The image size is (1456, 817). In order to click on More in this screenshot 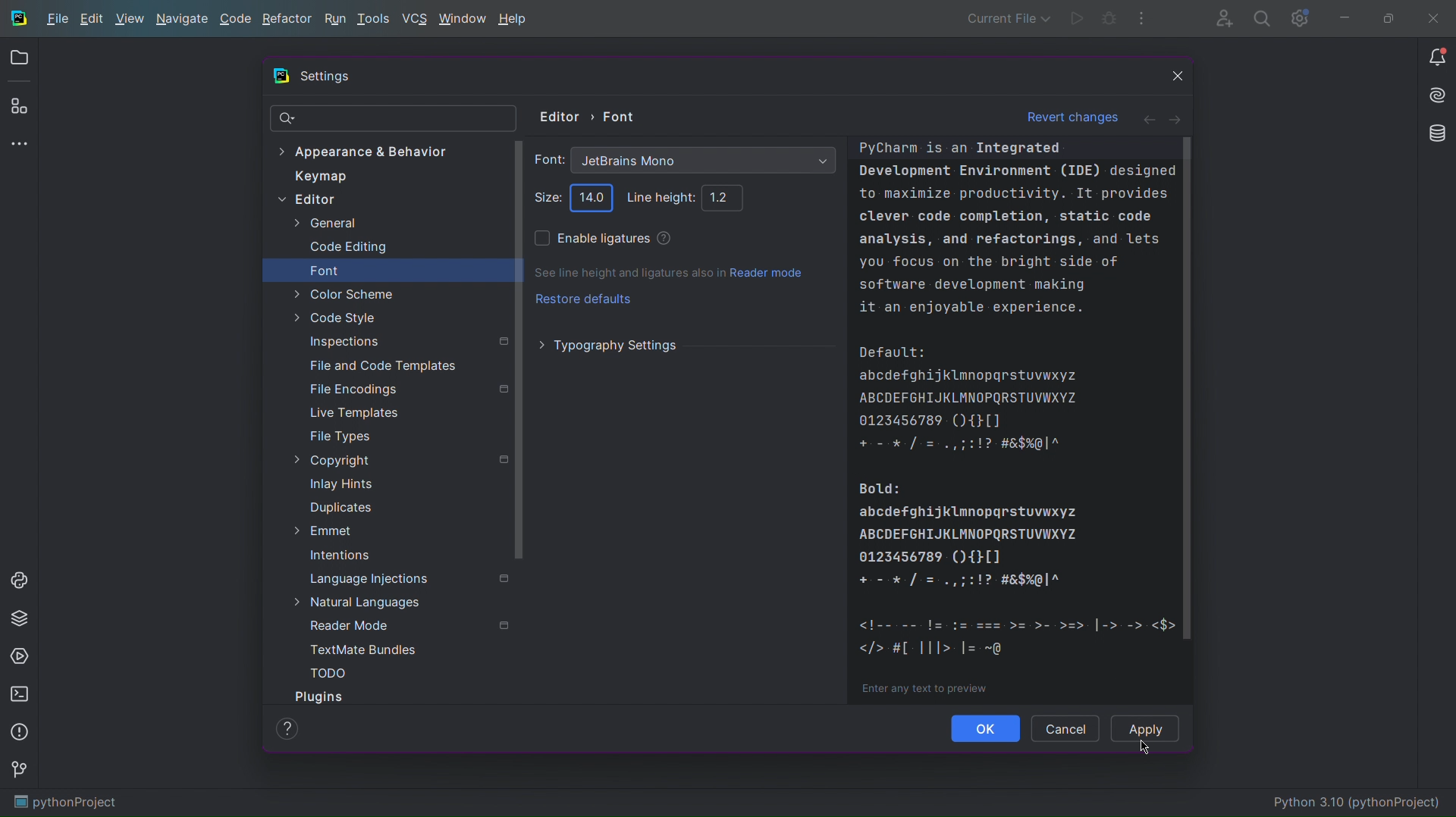, I will do `click(21, 146)`.